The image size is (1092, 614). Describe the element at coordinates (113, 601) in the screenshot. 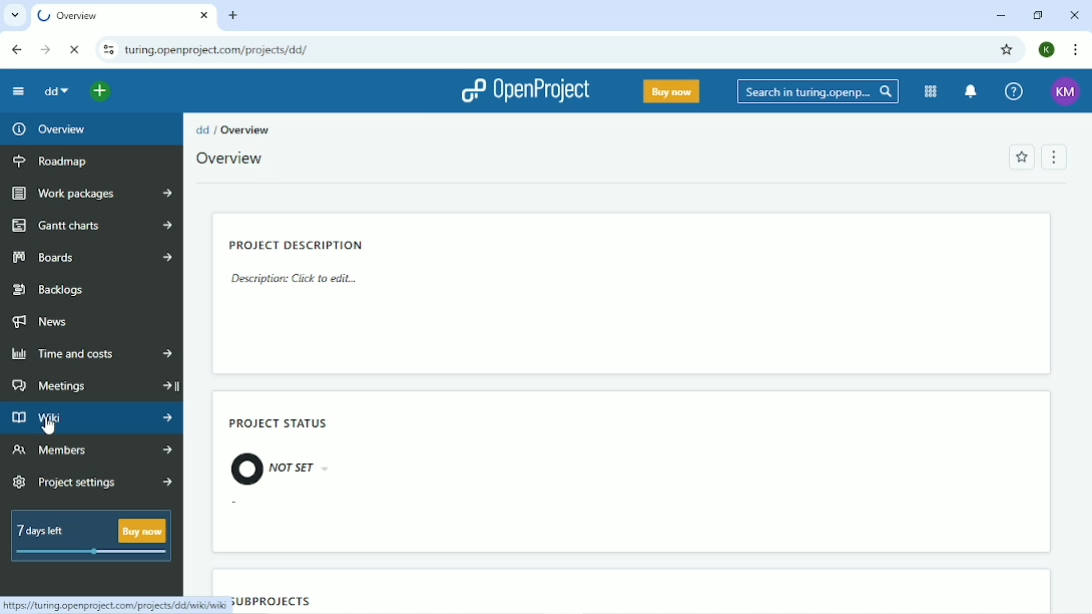

I see `Link` at that location.